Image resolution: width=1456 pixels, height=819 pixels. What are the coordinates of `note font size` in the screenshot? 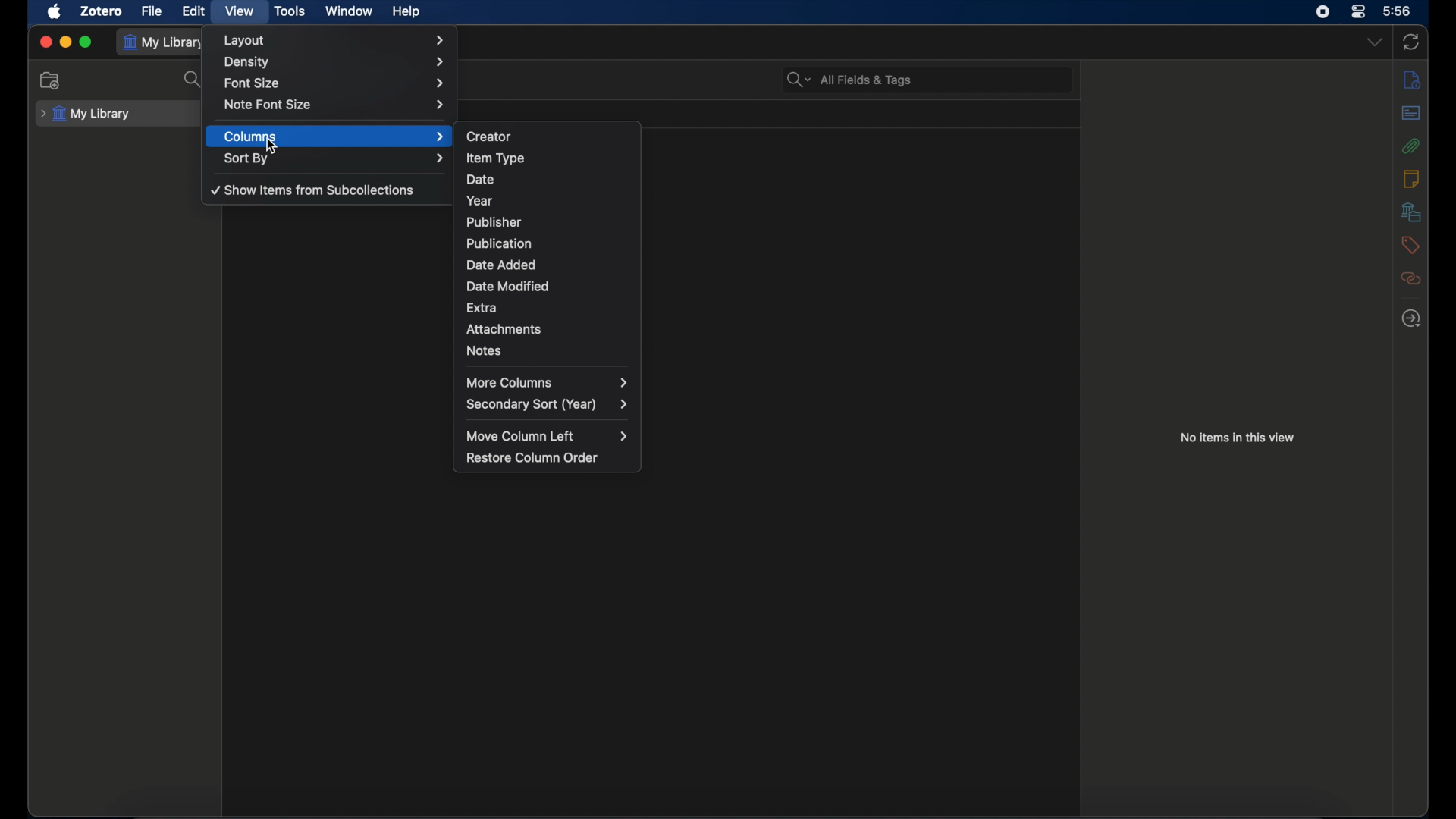 It's located at (337, 105).